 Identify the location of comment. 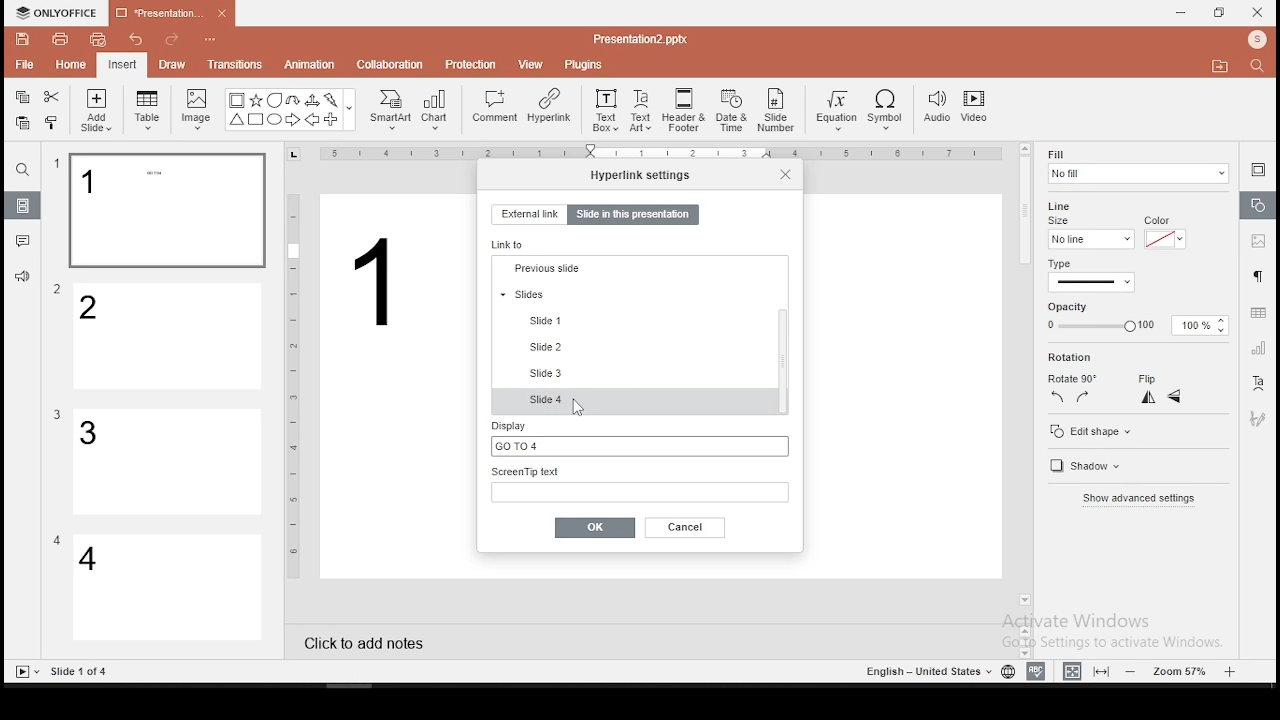
(495, 107).